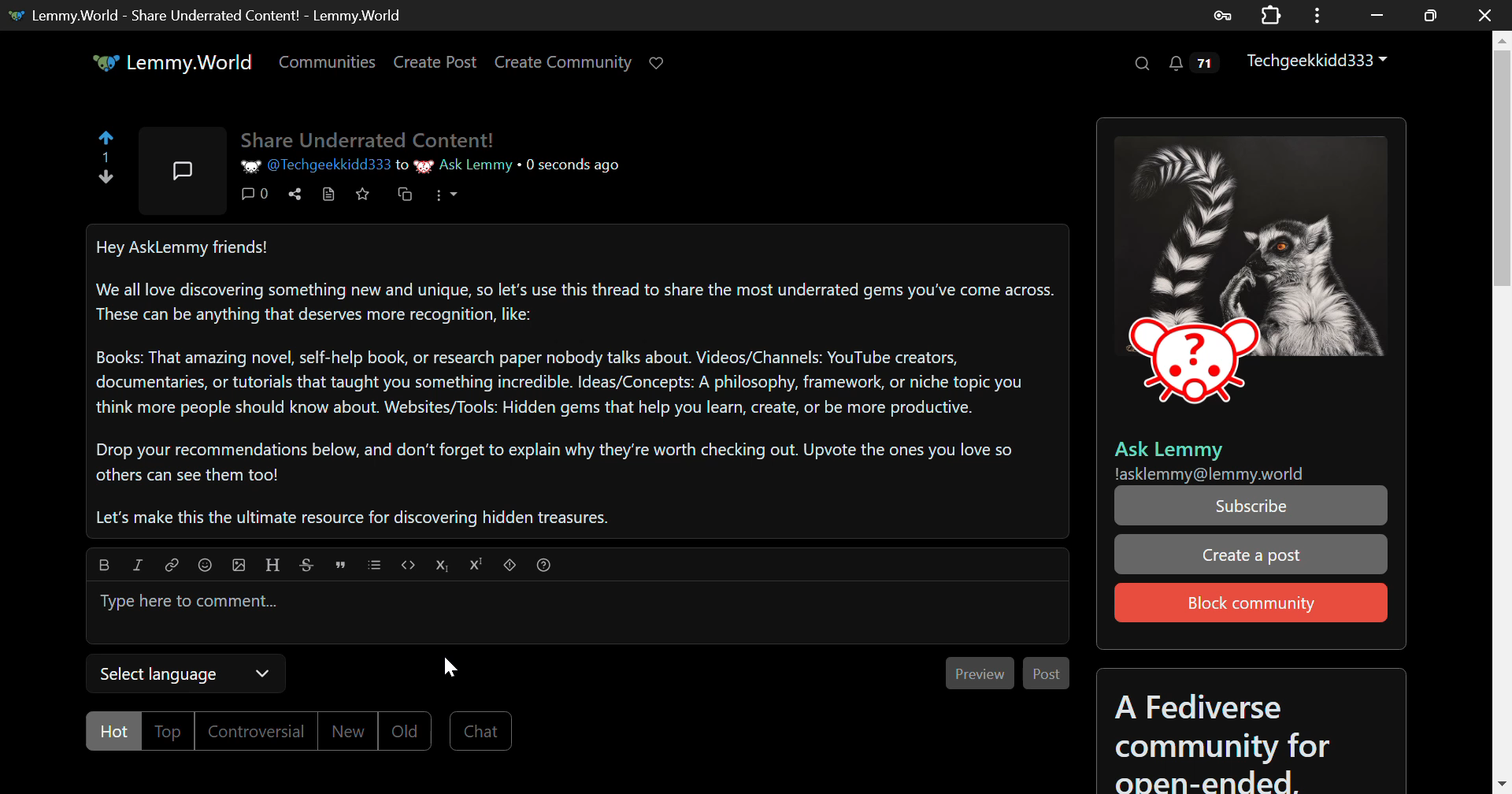 The height and width of the screenshot is (794, 1512). I want to click on Formatting Help, so click(544, 566).